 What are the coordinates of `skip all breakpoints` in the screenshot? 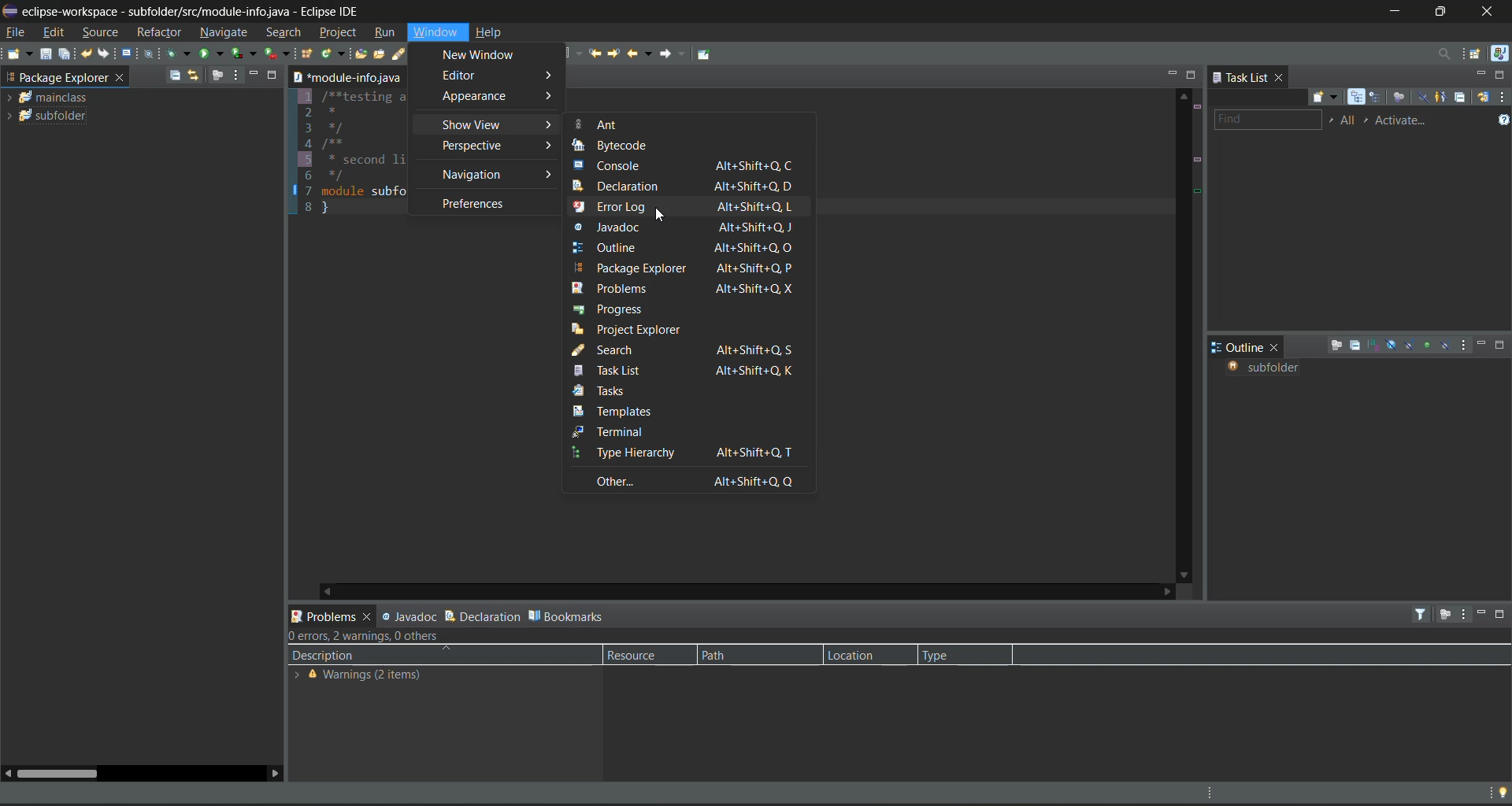 It's located at (150, 54).